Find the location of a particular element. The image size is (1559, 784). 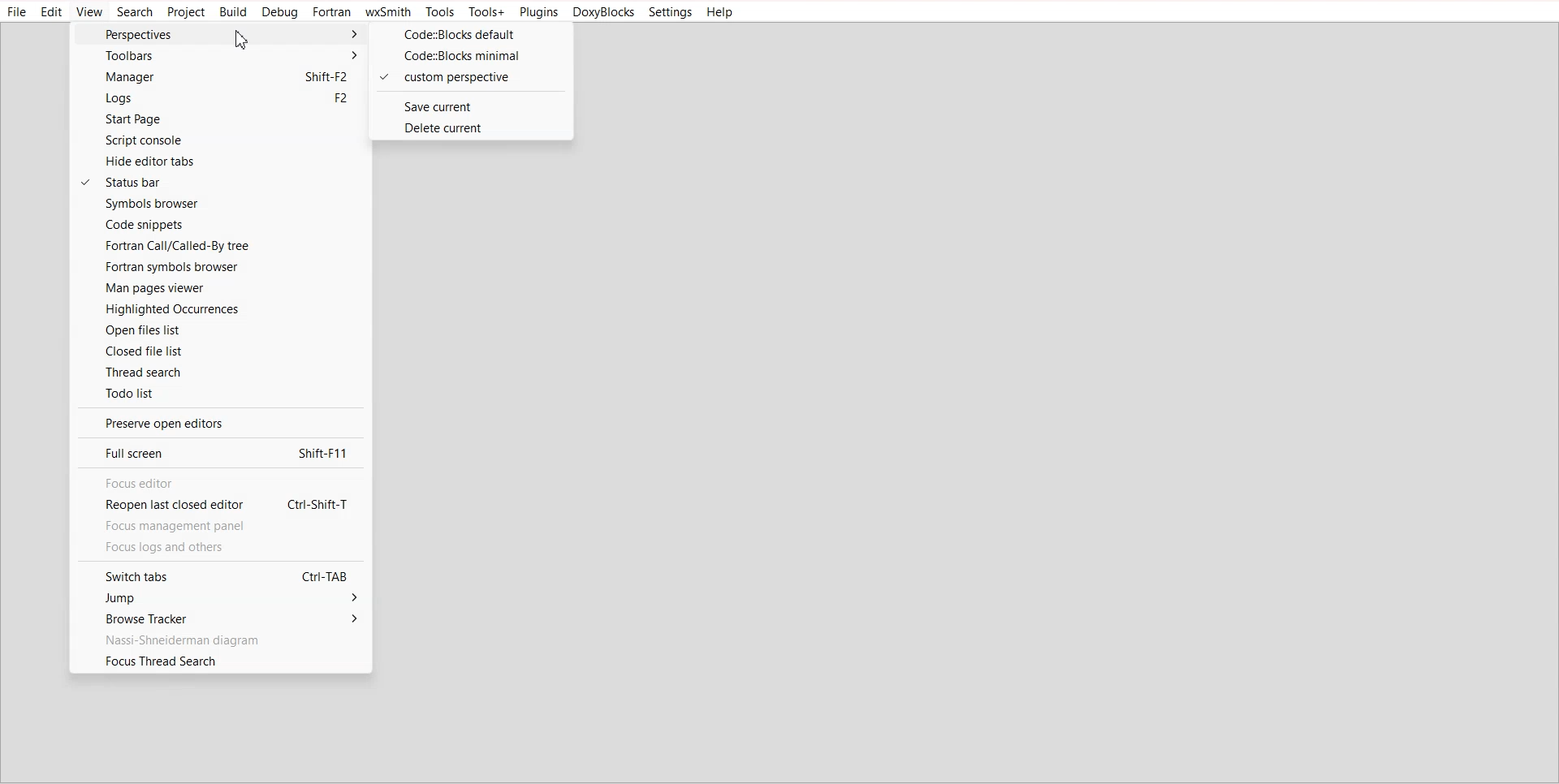

Debug is located at coordinates (281, 13).